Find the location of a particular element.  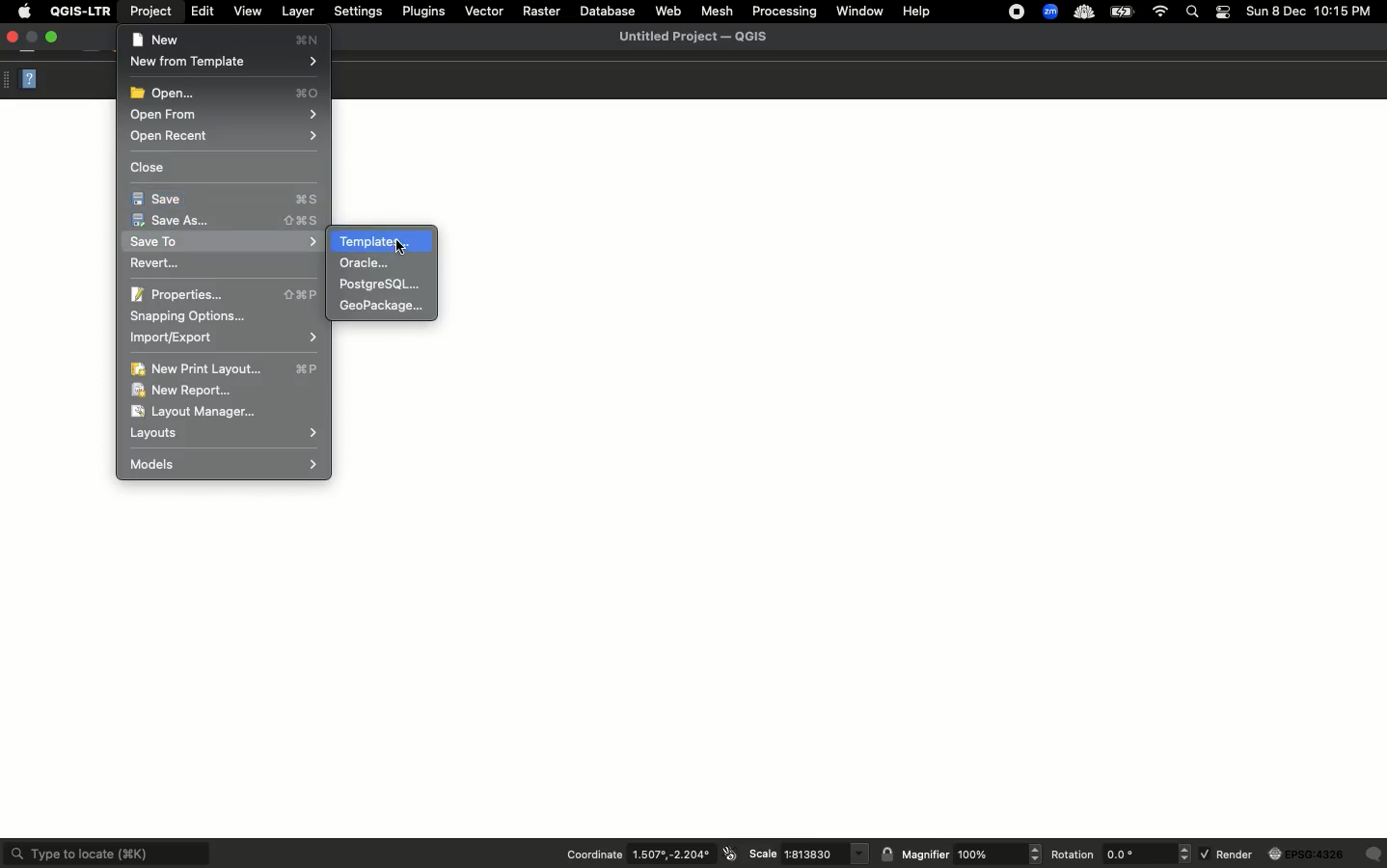

Edit is located at coordinates (200, 12).